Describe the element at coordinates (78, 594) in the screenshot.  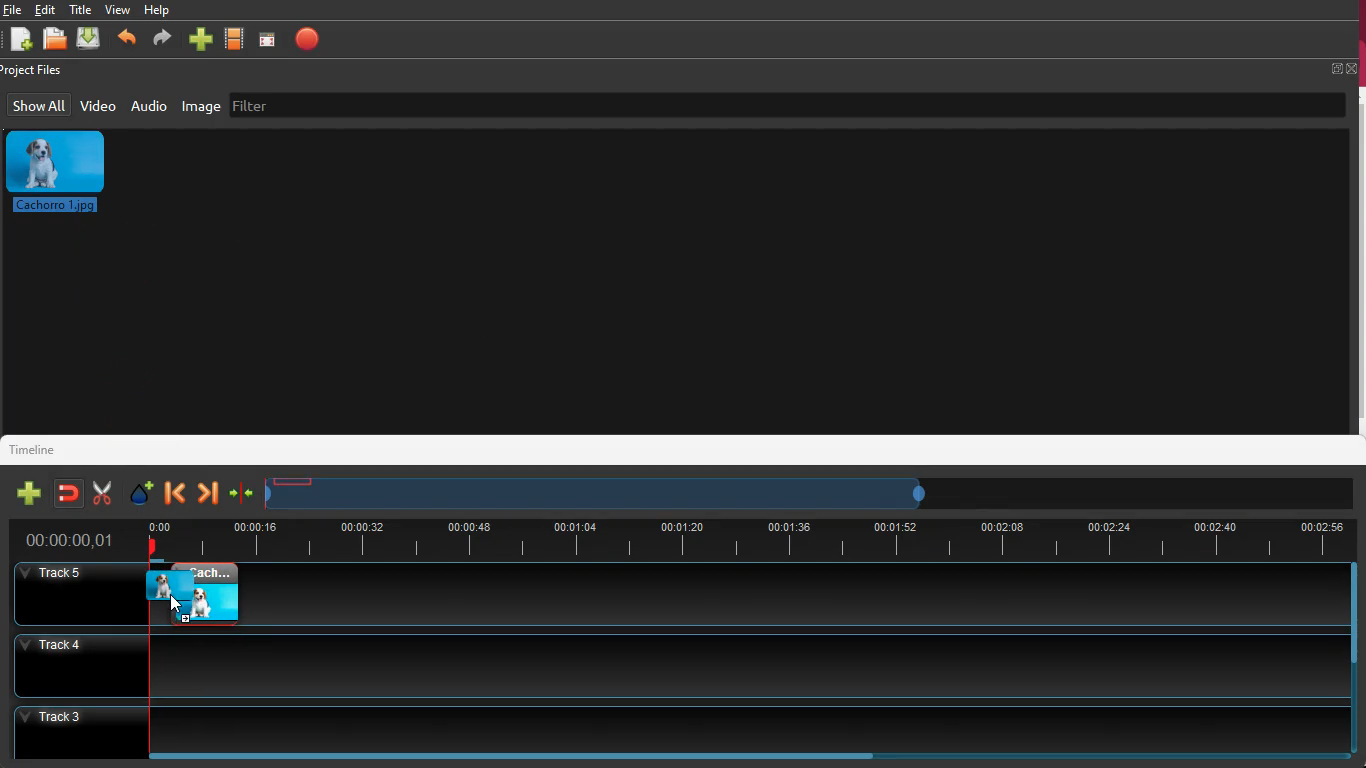
I see `` at that location.